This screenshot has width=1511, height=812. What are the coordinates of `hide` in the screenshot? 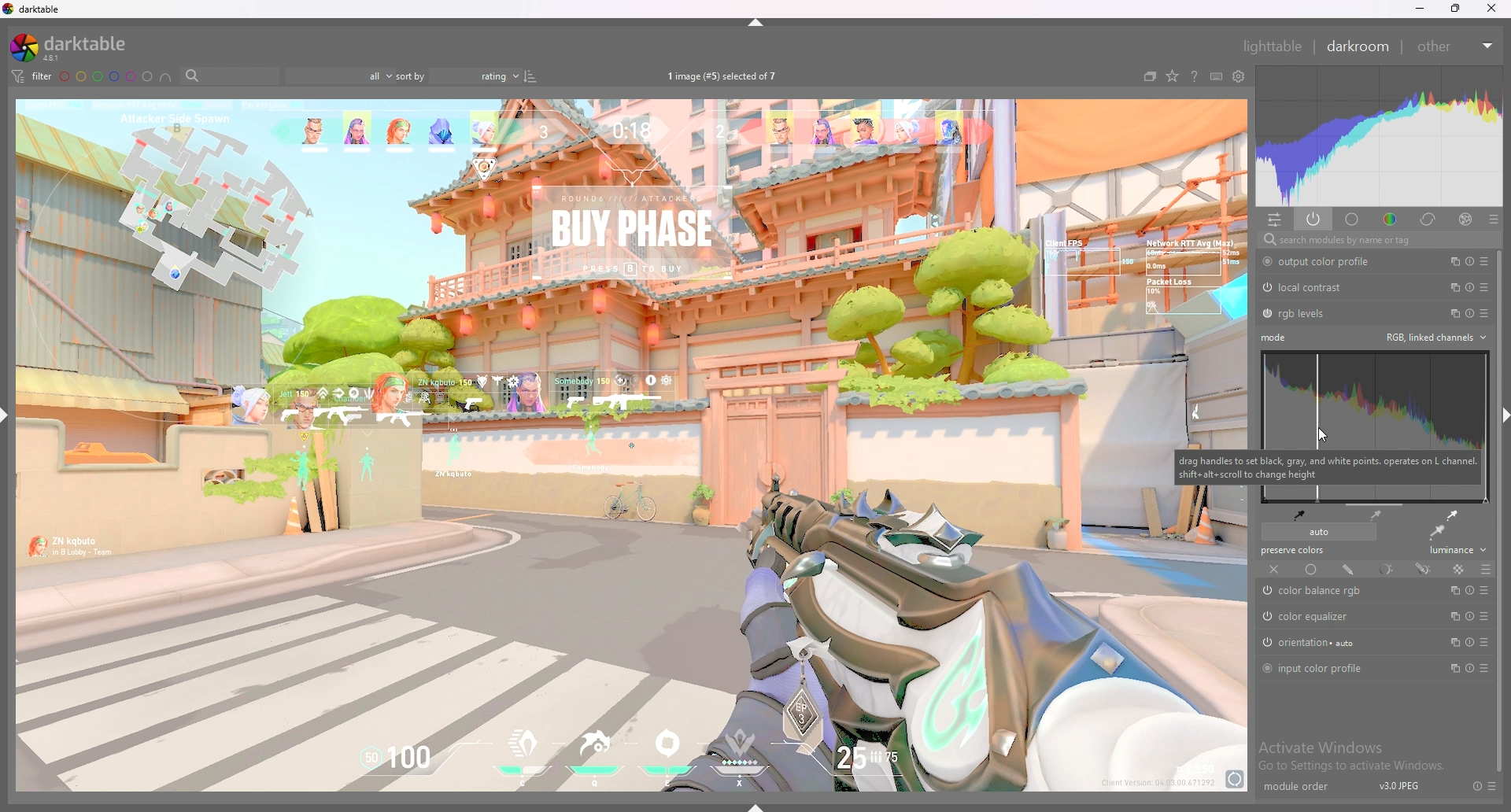 It's located at (765, 25).